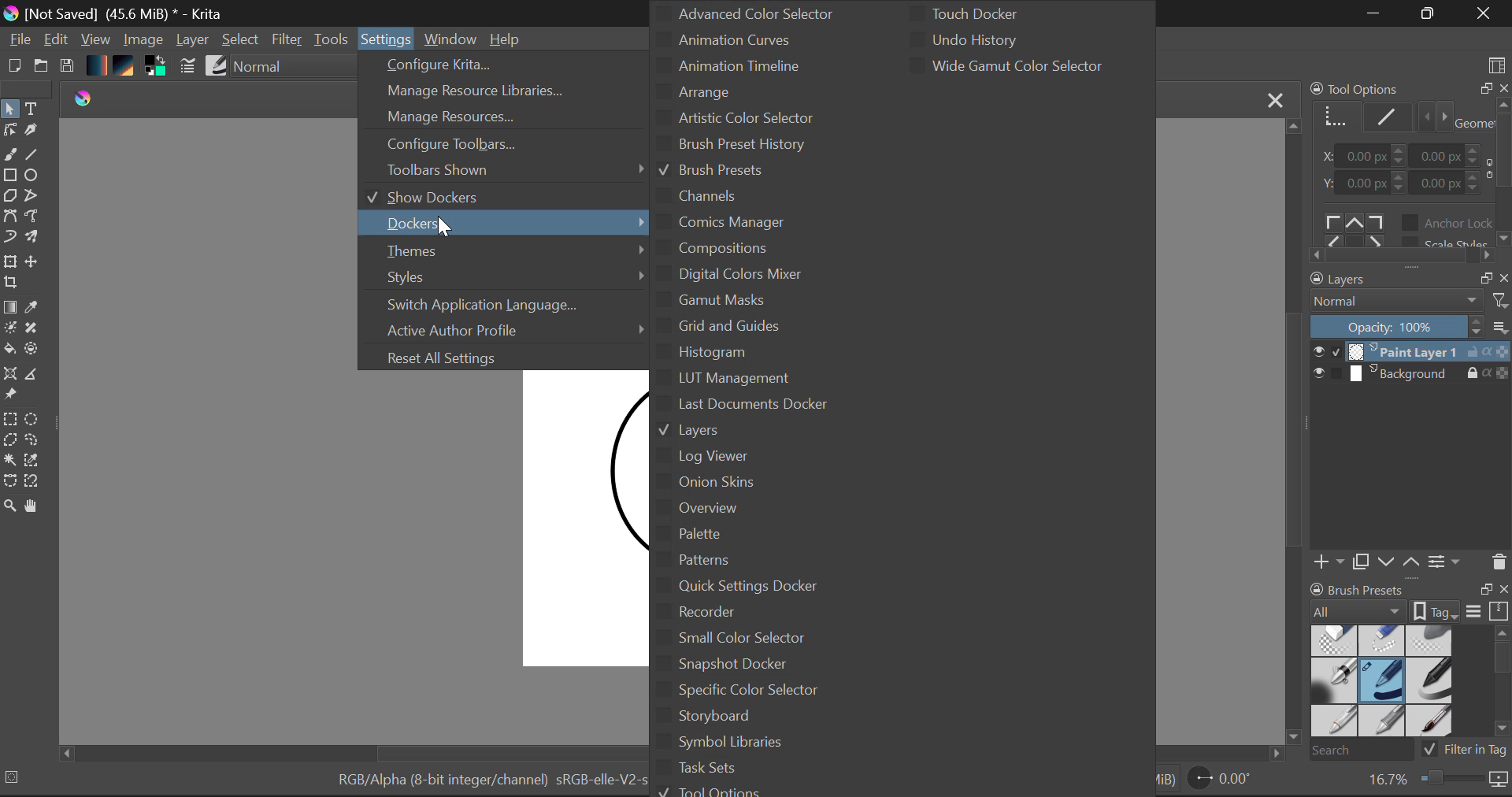 The image size is (1512, 797). I want to click on Layers, so click(816, 432).